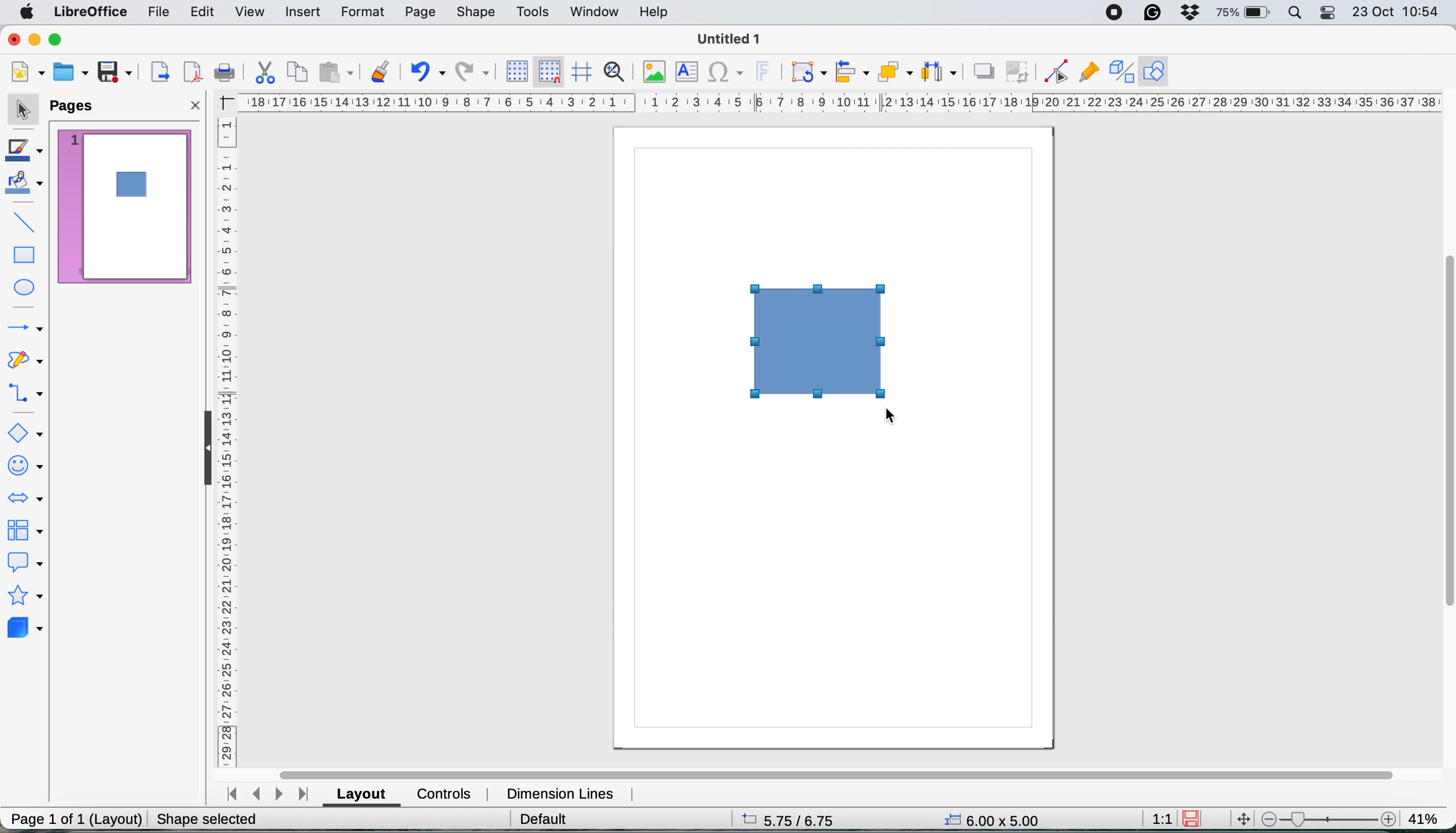 This screenshot has width=1456, height=833. What do you see at coordinates (202, 447) in the screenshot?
I see `collapse` at bounding box center [202, 447].